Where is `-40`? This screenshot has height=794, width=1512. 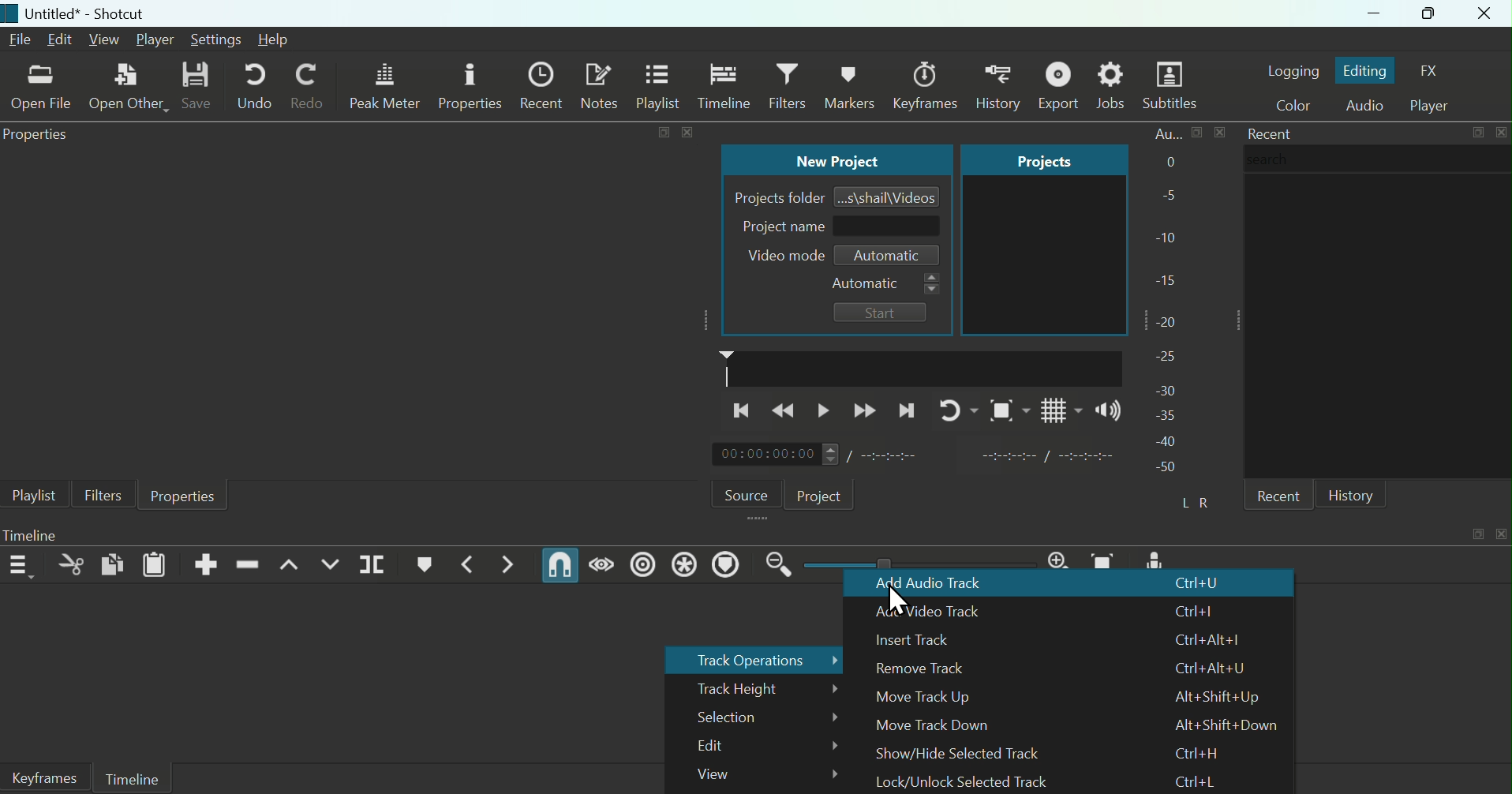 -40 is located at coordinates (1167, 441).